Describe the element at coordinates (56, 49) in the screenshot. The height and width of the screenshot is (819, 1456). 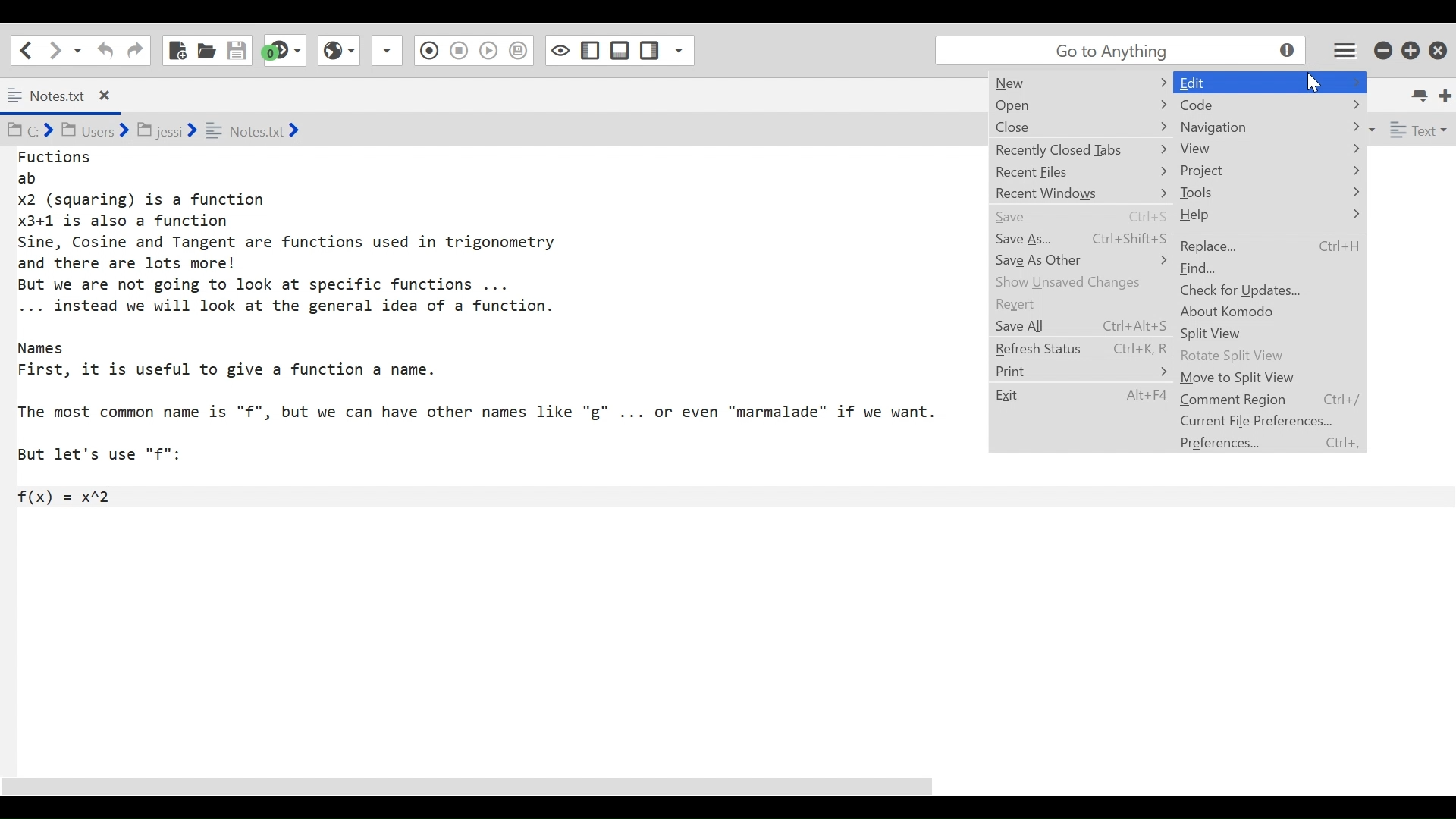
I see `Go forward one location` at that location.